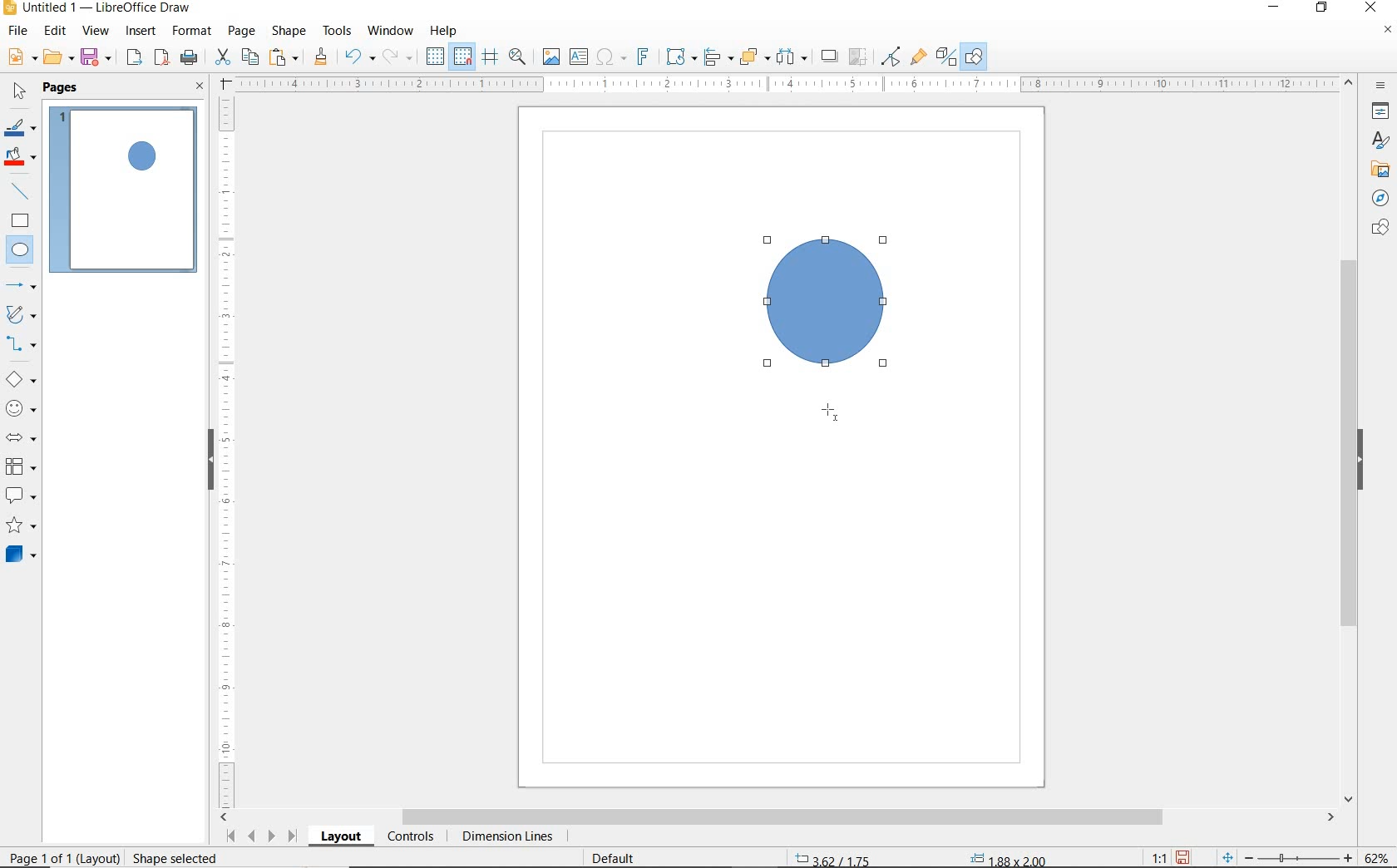 The image size is (1397, 868). Describe the element at coordinates (824, 300) in the screenshot. I see `DRAWN CIRCLE` at that location.